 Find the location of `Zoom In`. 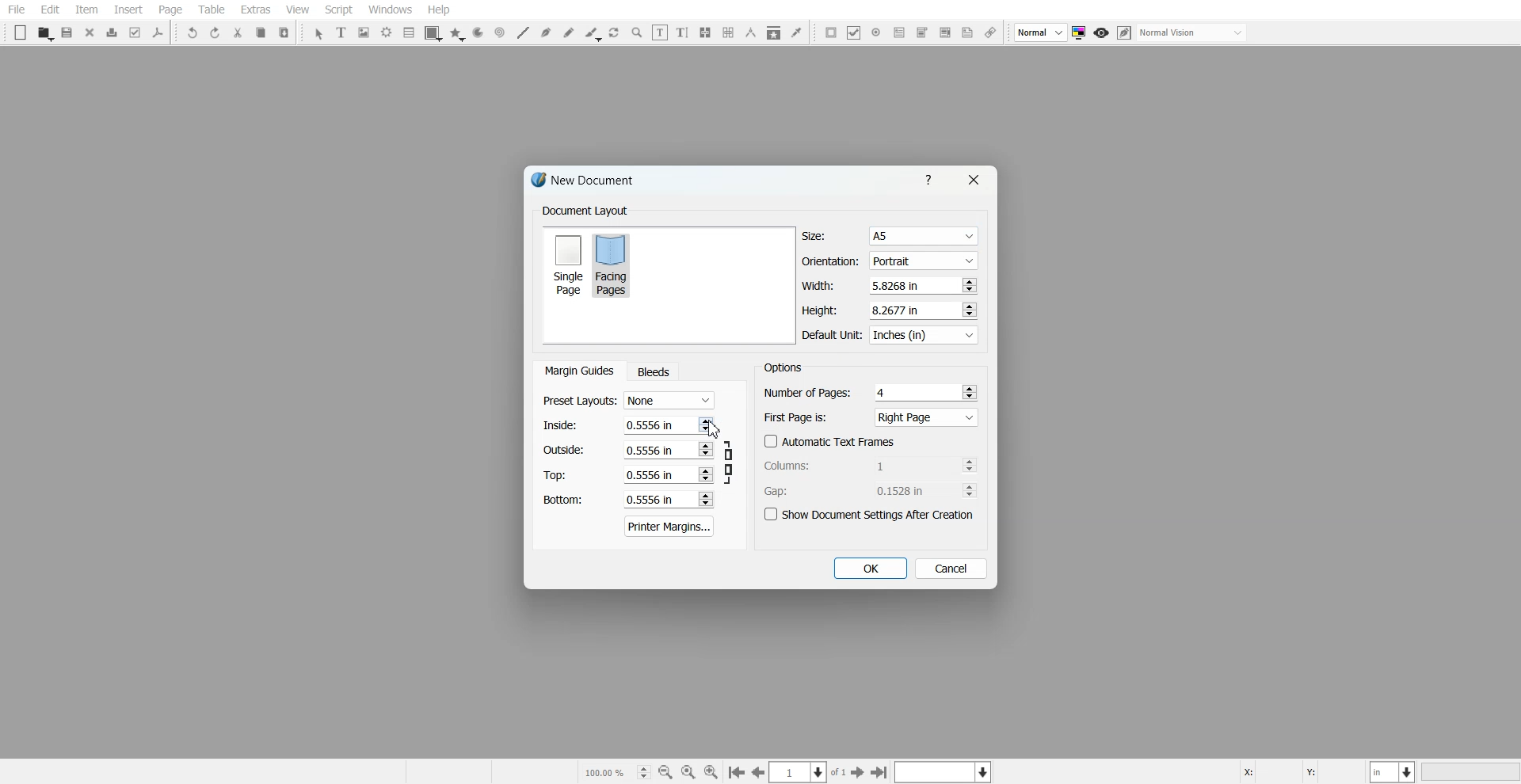

Zoom In is located at coordinates (711, 771).